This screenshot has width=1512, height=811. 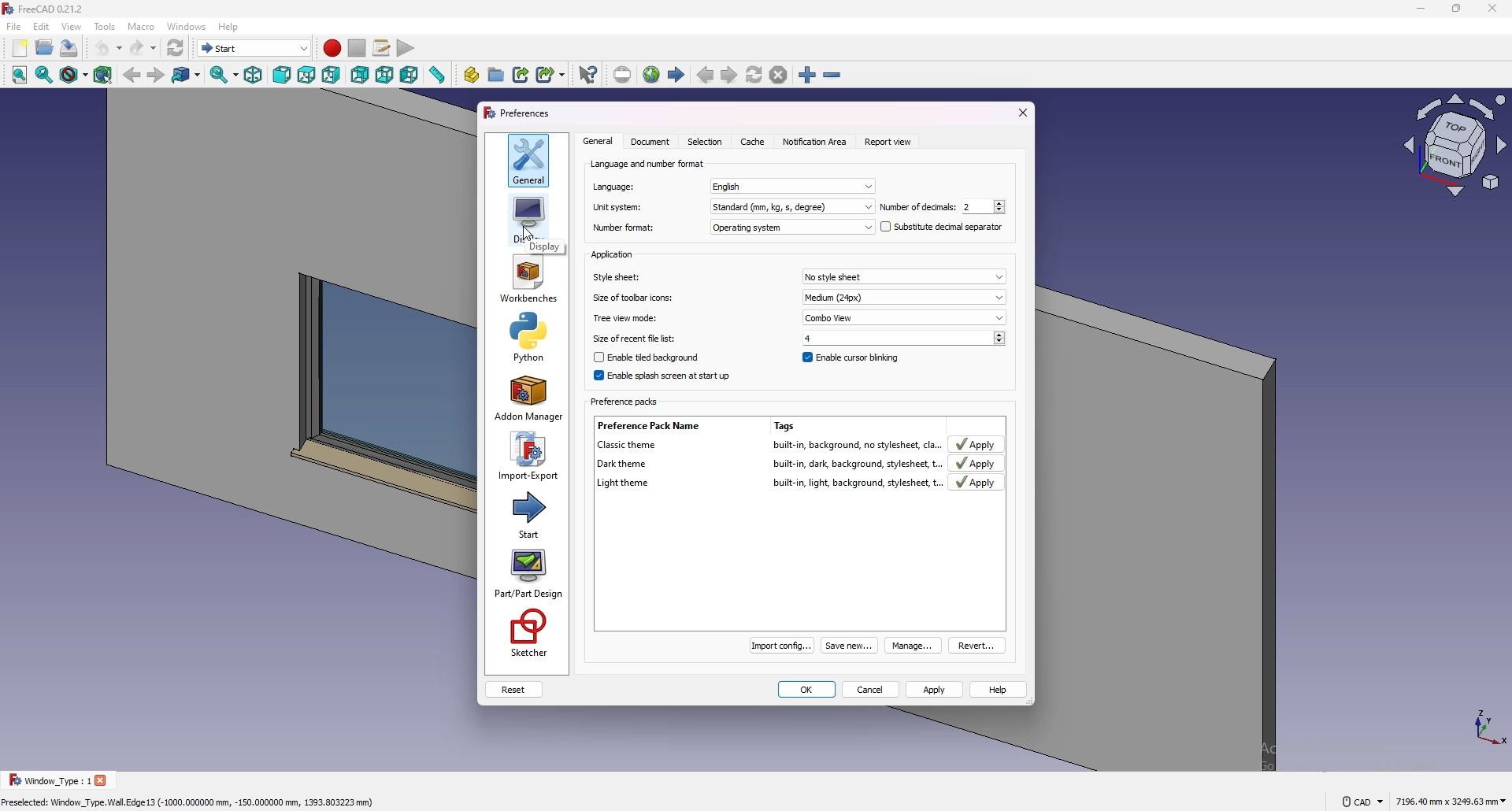 I want to click on make link, so click(x=522, y=73).